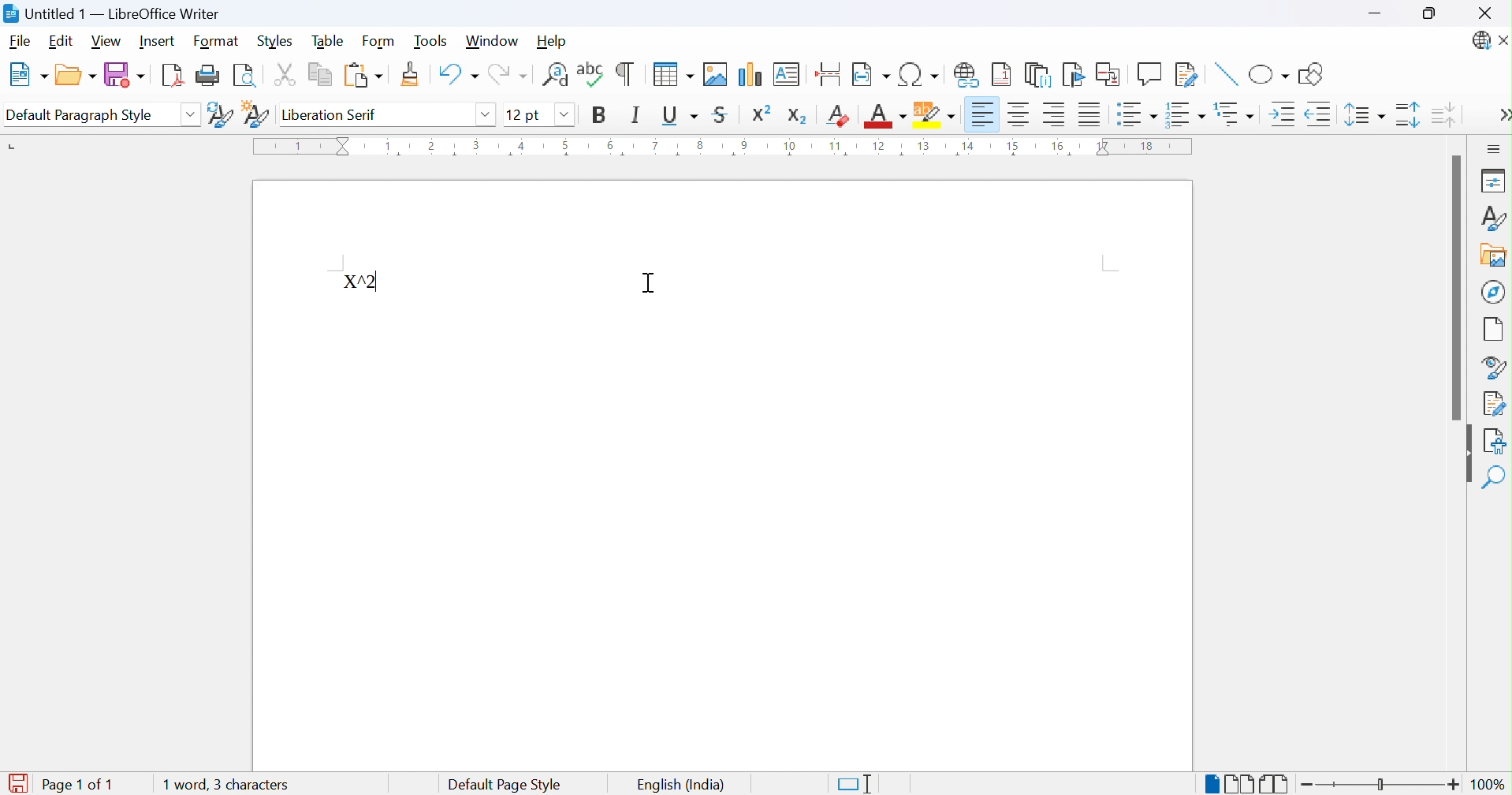 Image resolution: width=1512 pixels, height=795 pixels. I want to click on View, so click(108, 43).